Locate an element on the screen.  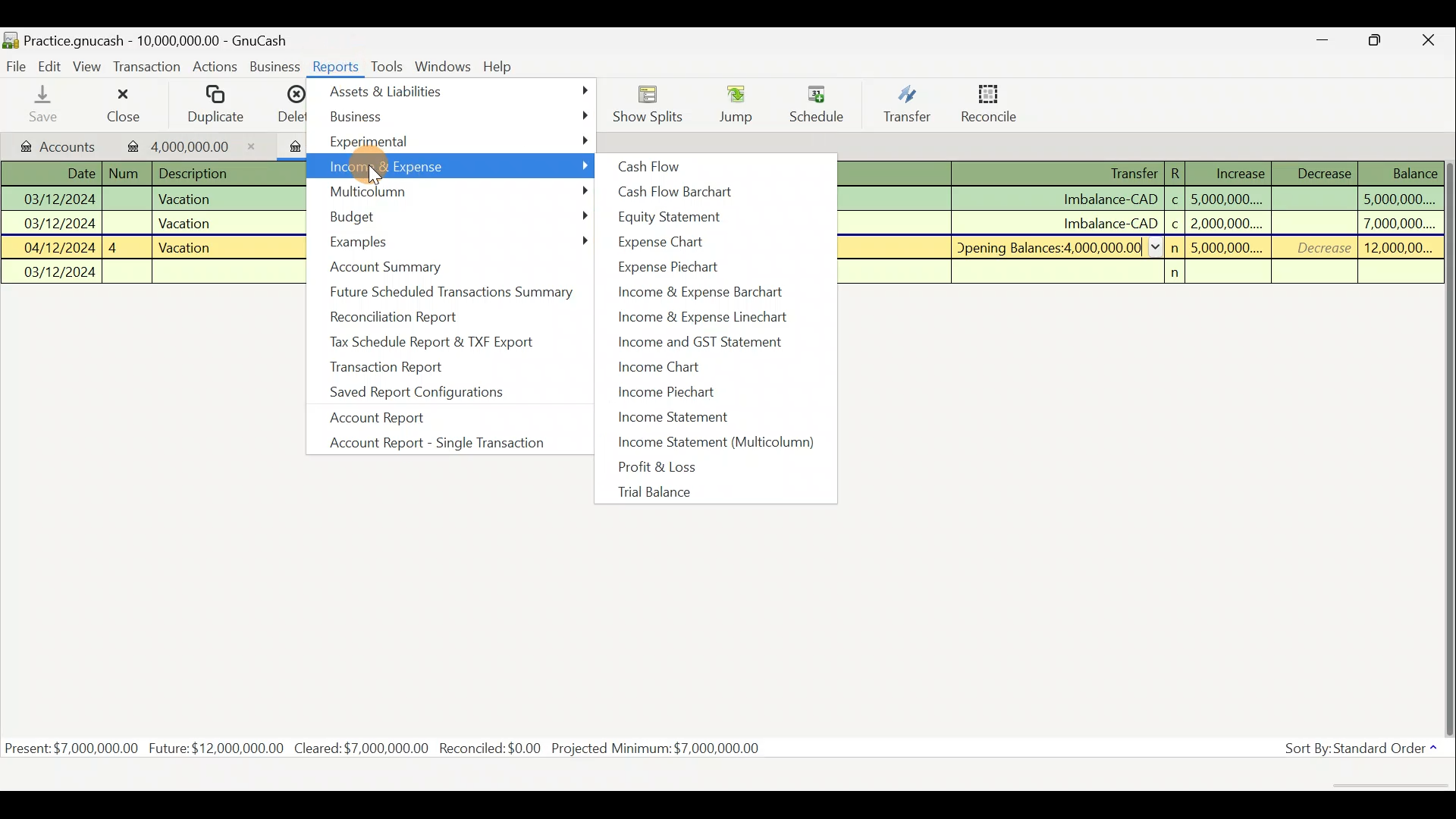
Date is located at coordinates (77, 174).